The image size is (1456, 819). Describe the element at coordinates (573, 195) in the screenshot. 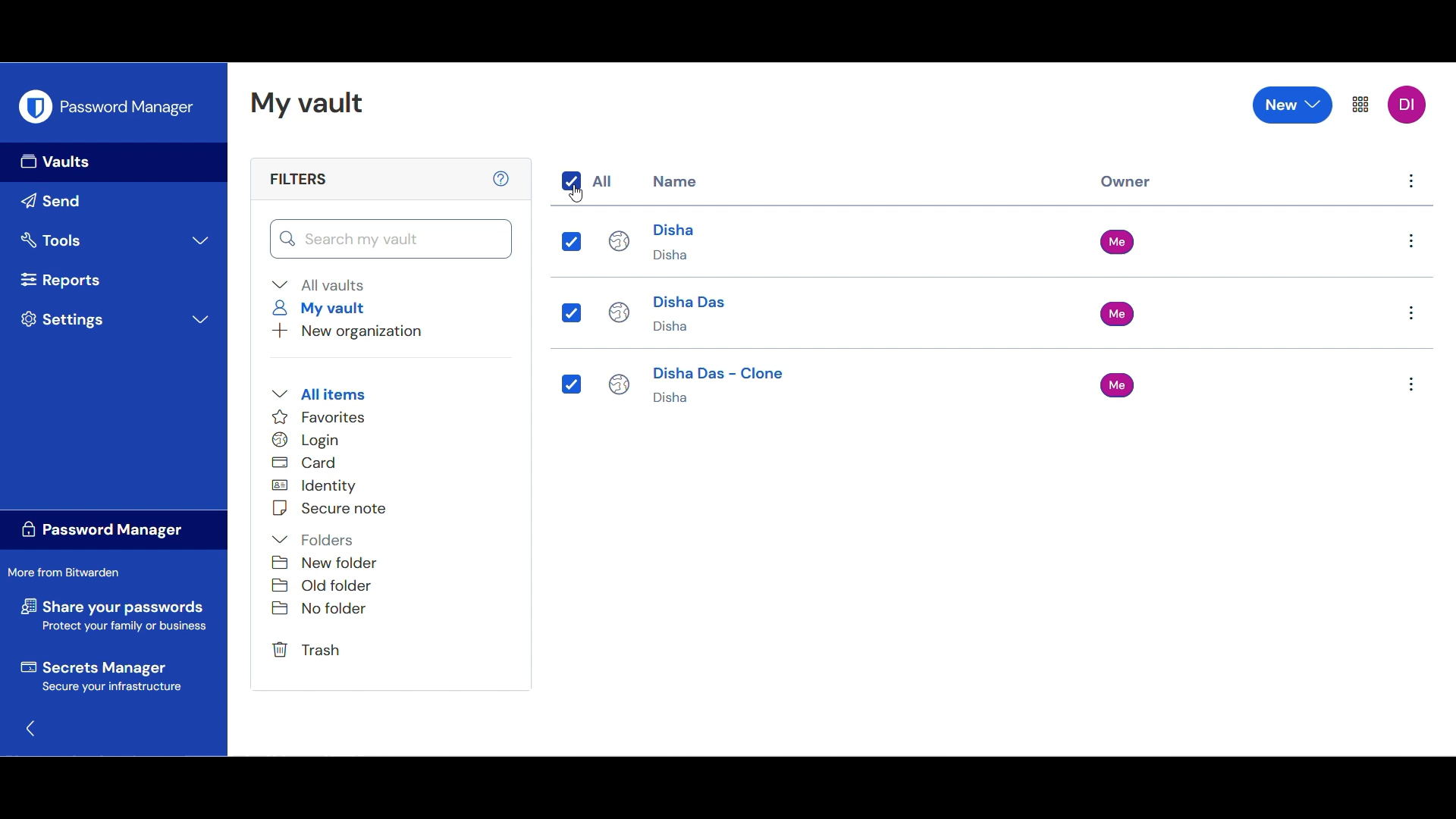

I see `Cursor` at that location.